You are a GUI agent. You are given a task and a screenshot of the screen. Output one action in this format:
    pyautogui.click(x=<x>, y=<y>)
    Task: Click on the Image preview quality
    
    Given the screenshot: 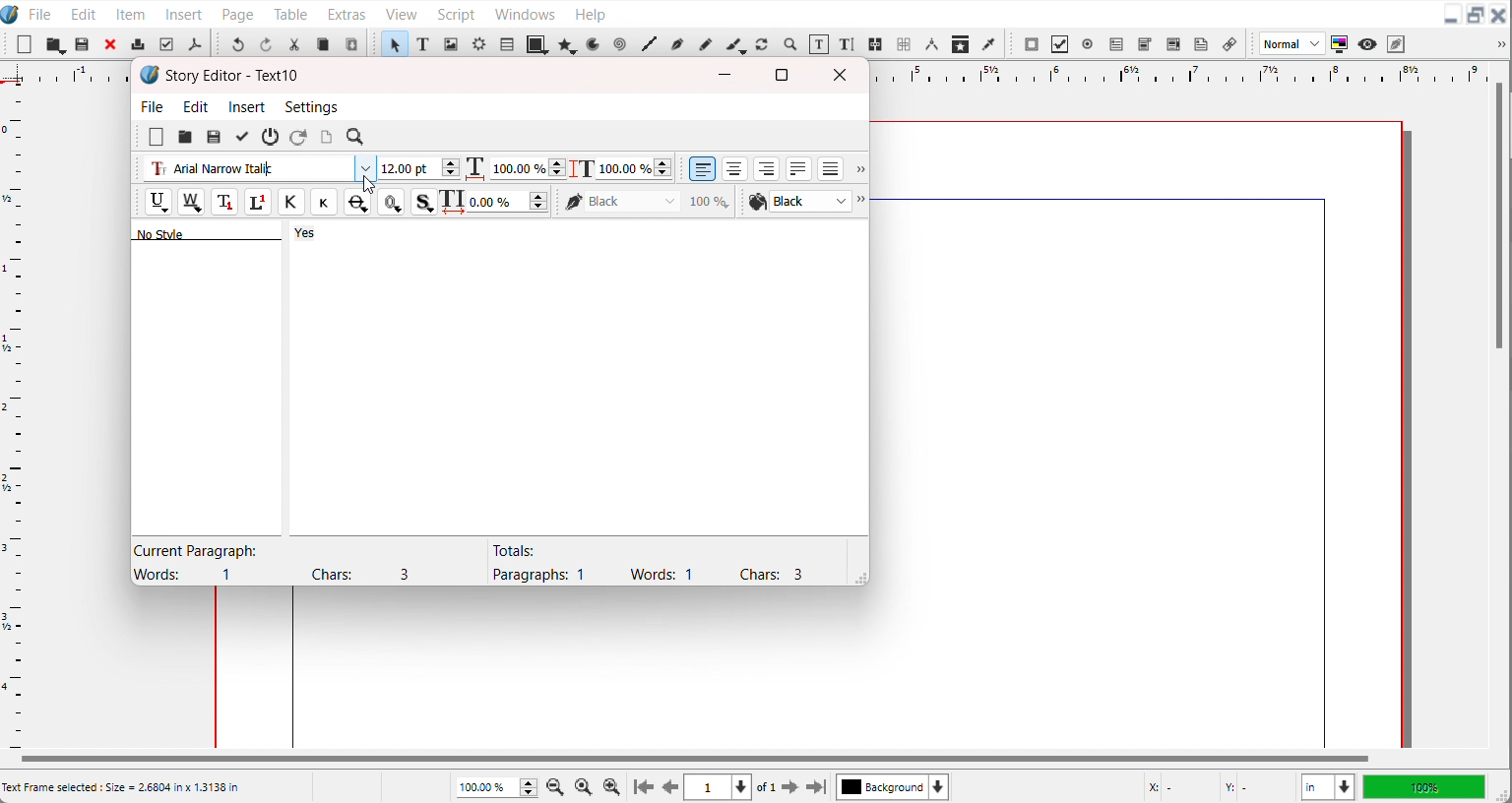 What is the action you would take?
    pyautogui.click(x=1292, y=43)
    